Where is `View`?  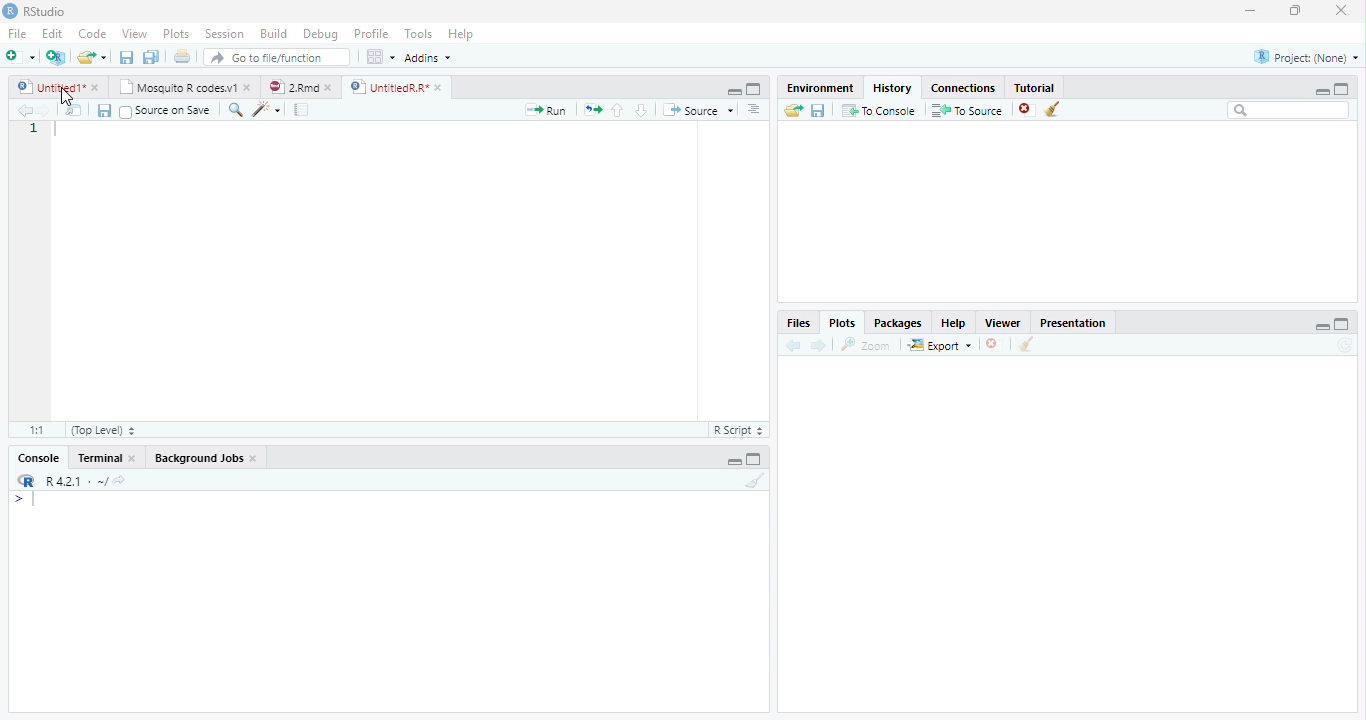 View is located at coordinates (134, 33).